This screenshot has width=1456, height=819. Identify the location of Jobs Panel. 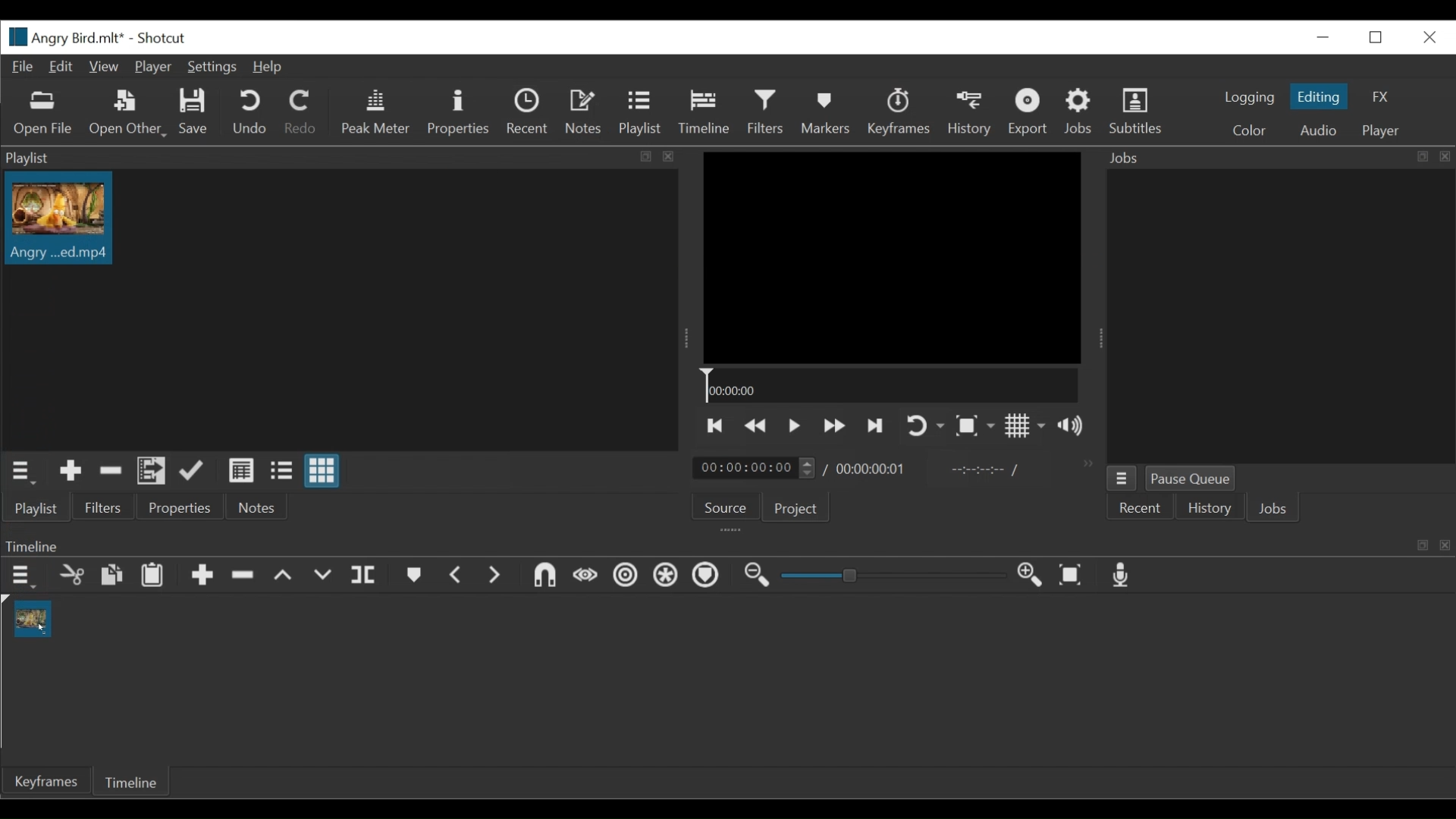
(1287, 317).